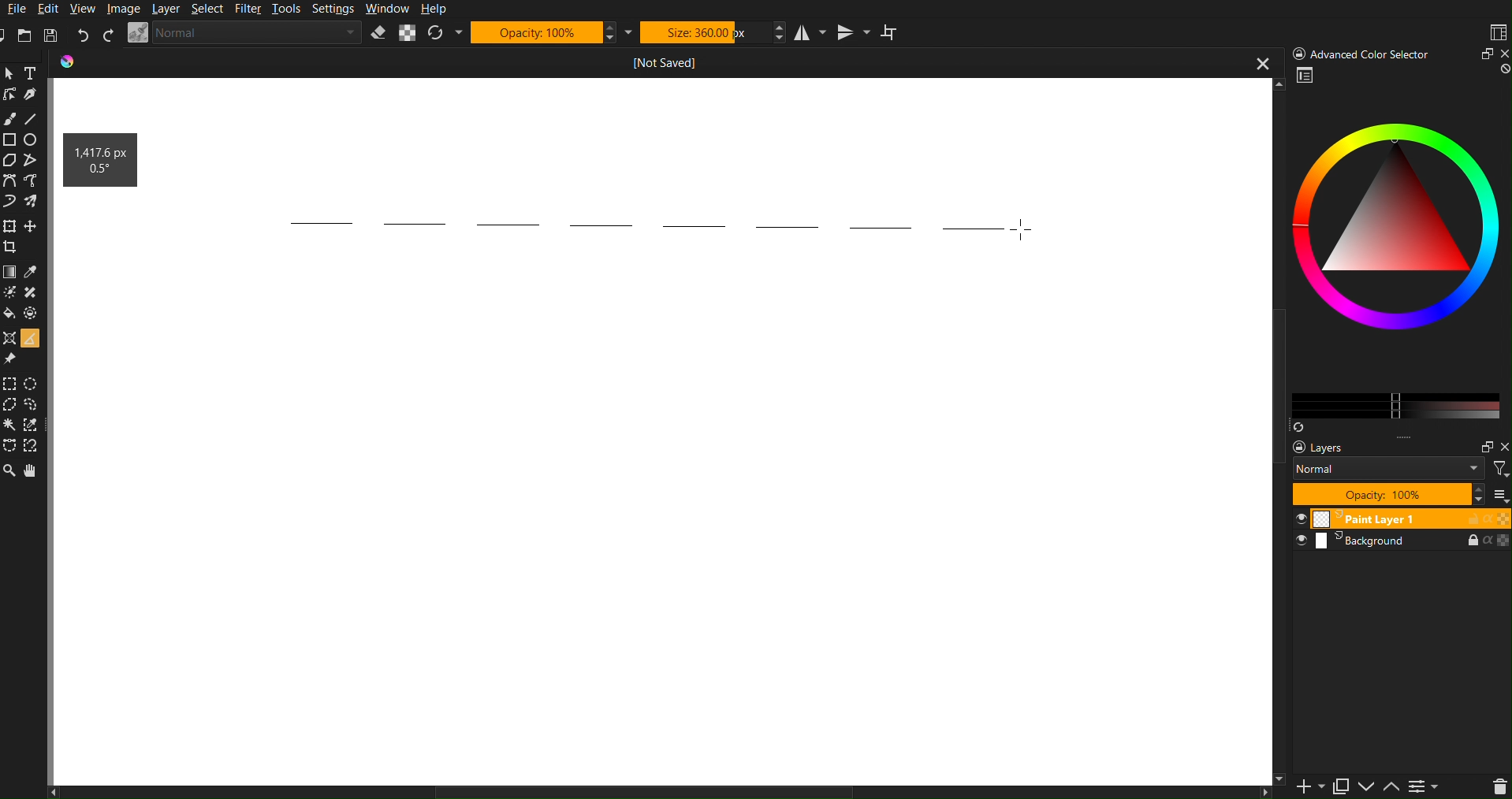  Describe the element at coordinates (1498, 786) in the screenshot. I see `Delete` at that location.